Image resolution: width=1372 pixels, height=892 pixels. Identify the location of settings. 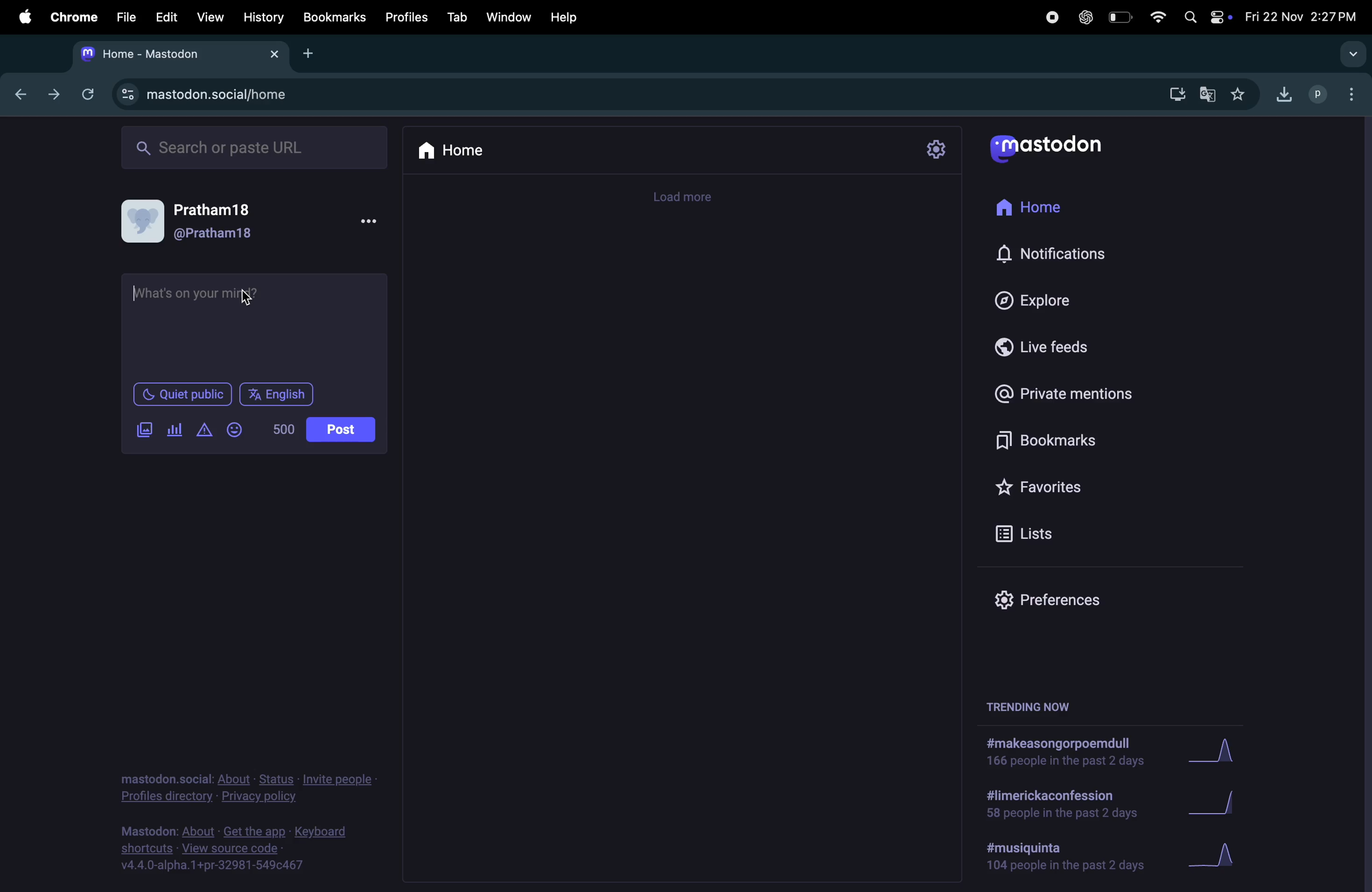
(937, 150).